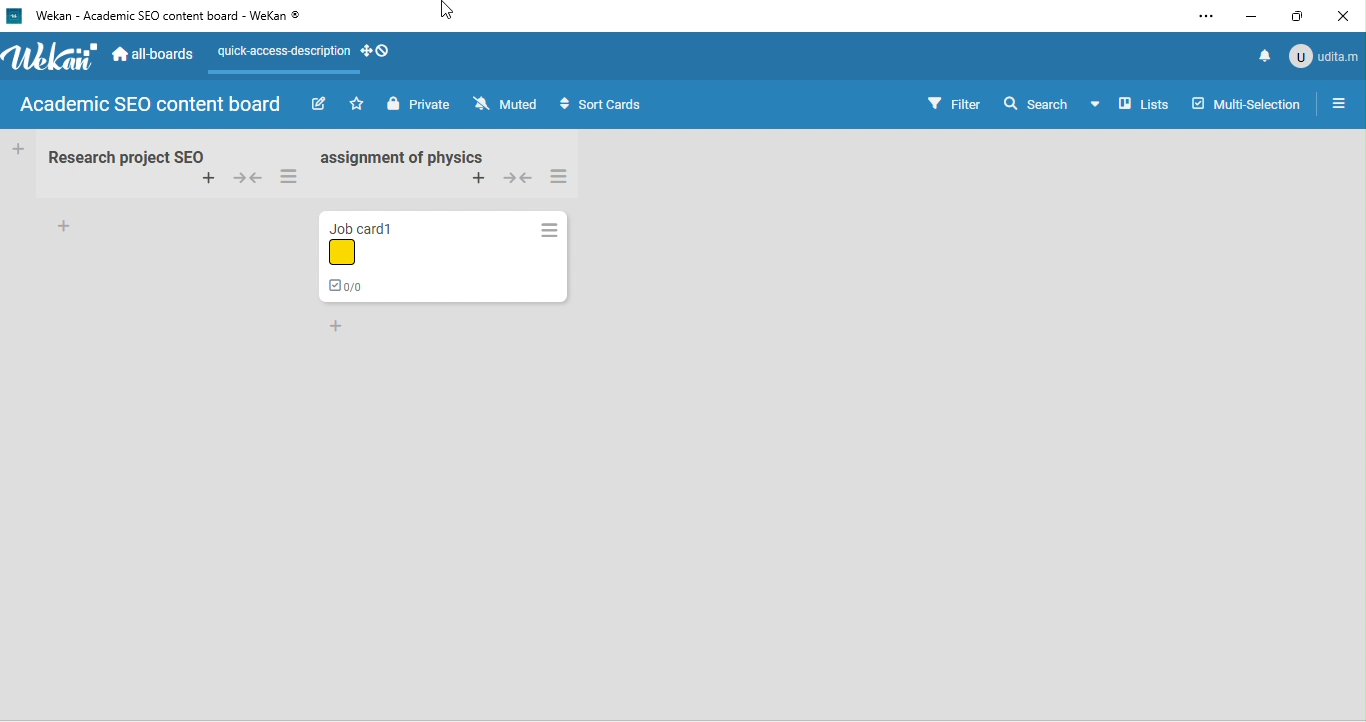 The width and height of the screenshot is (1366, 722). What do you see at coordinates (1133, 107) in the screenshot?
I see `lists` at bounding box center [1133, 107].